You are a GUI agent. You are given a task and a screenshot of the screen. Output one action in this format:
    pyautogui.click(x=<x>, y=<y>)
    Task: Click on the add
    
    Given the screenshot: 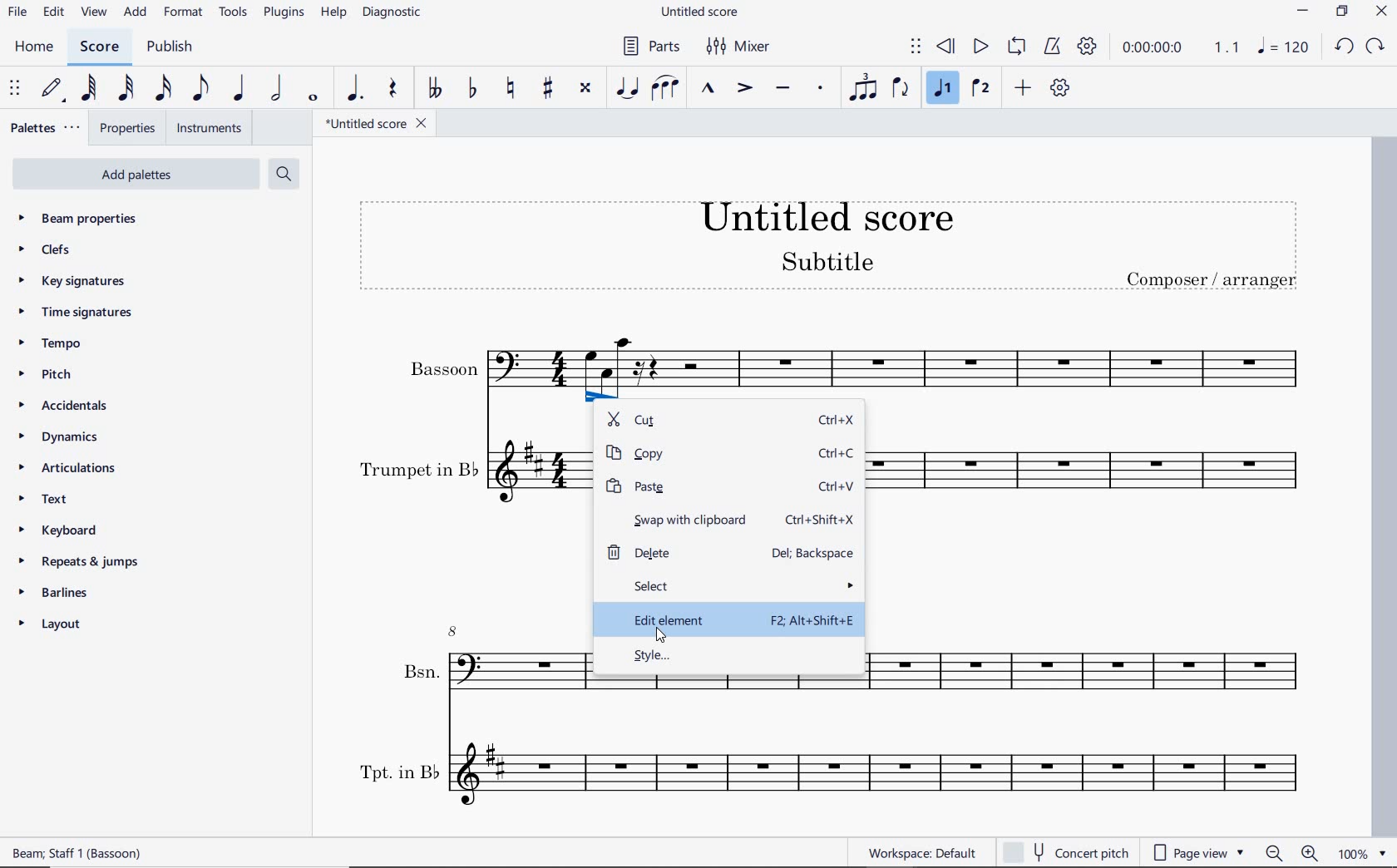 What is the action you would take?
    pyautogui.click(x=1023, y=89)
    